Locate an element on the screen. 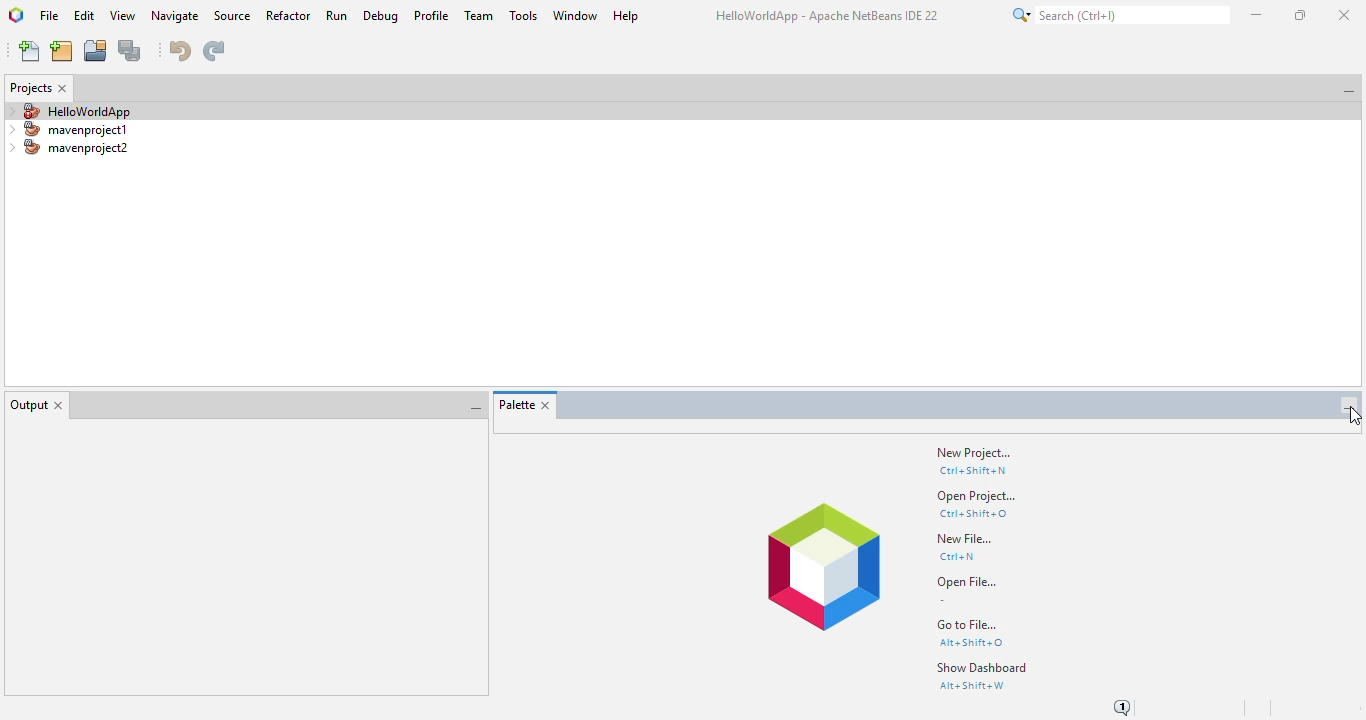 The width and height of the screenshot is (1366, 720). new file is located at coordinates (31, 51).